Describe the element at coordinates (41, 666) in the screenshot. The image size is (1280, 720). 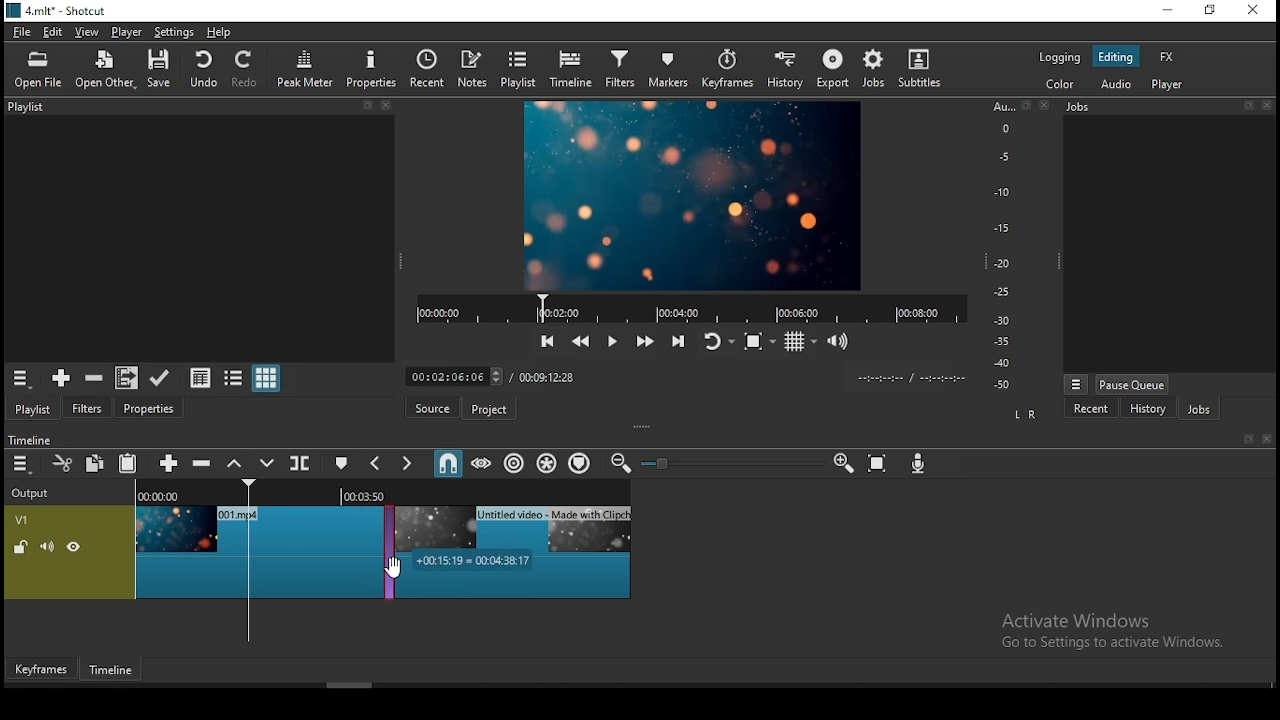
I see `keyframes` at that location.